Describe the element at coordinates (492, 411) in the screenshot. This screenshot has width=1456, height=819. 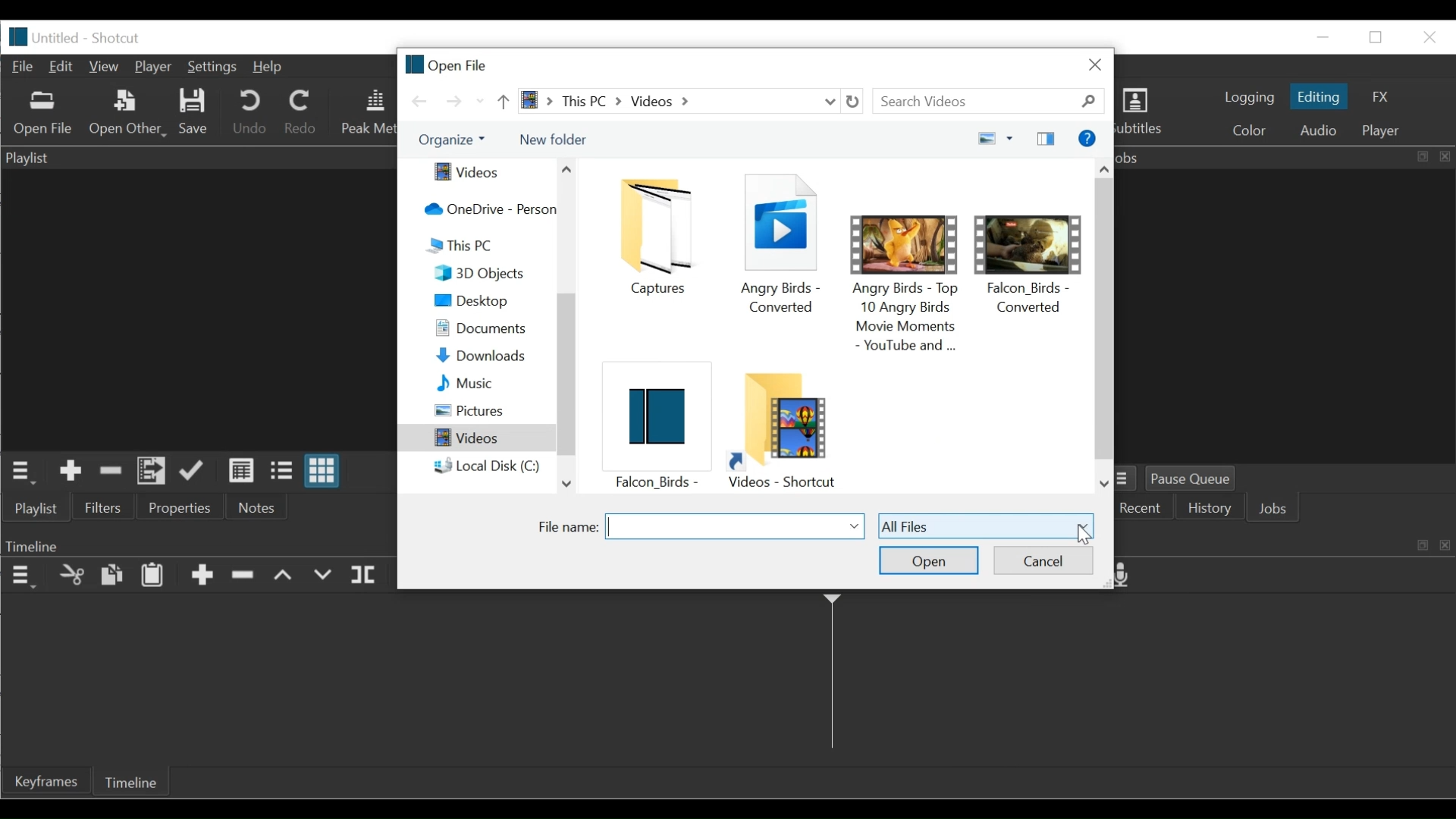
I see `Pictures` at that location.